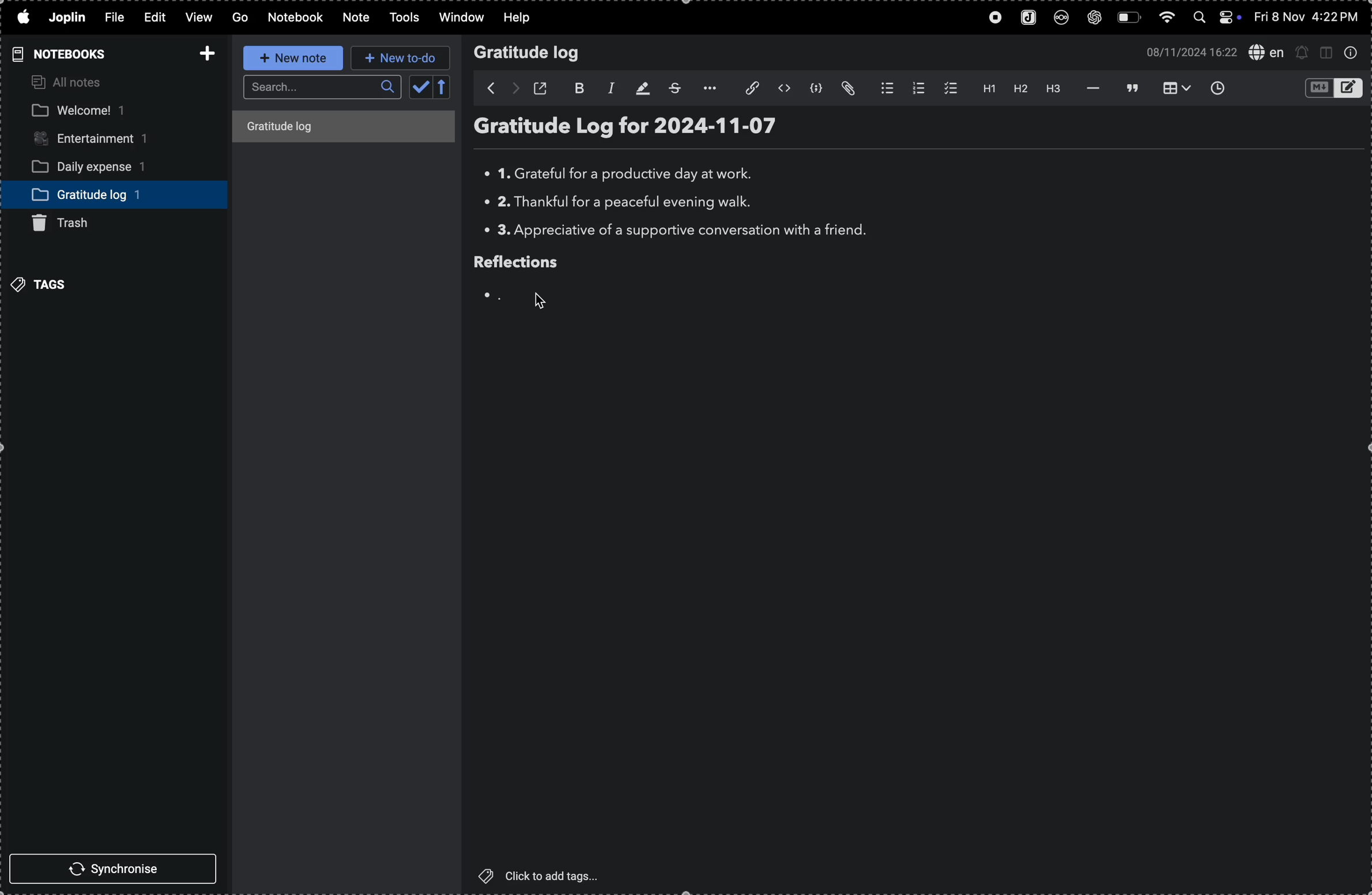 The height and width of the screenshot is (895, 1372). I want to click on bullet list, so click(883, 88).